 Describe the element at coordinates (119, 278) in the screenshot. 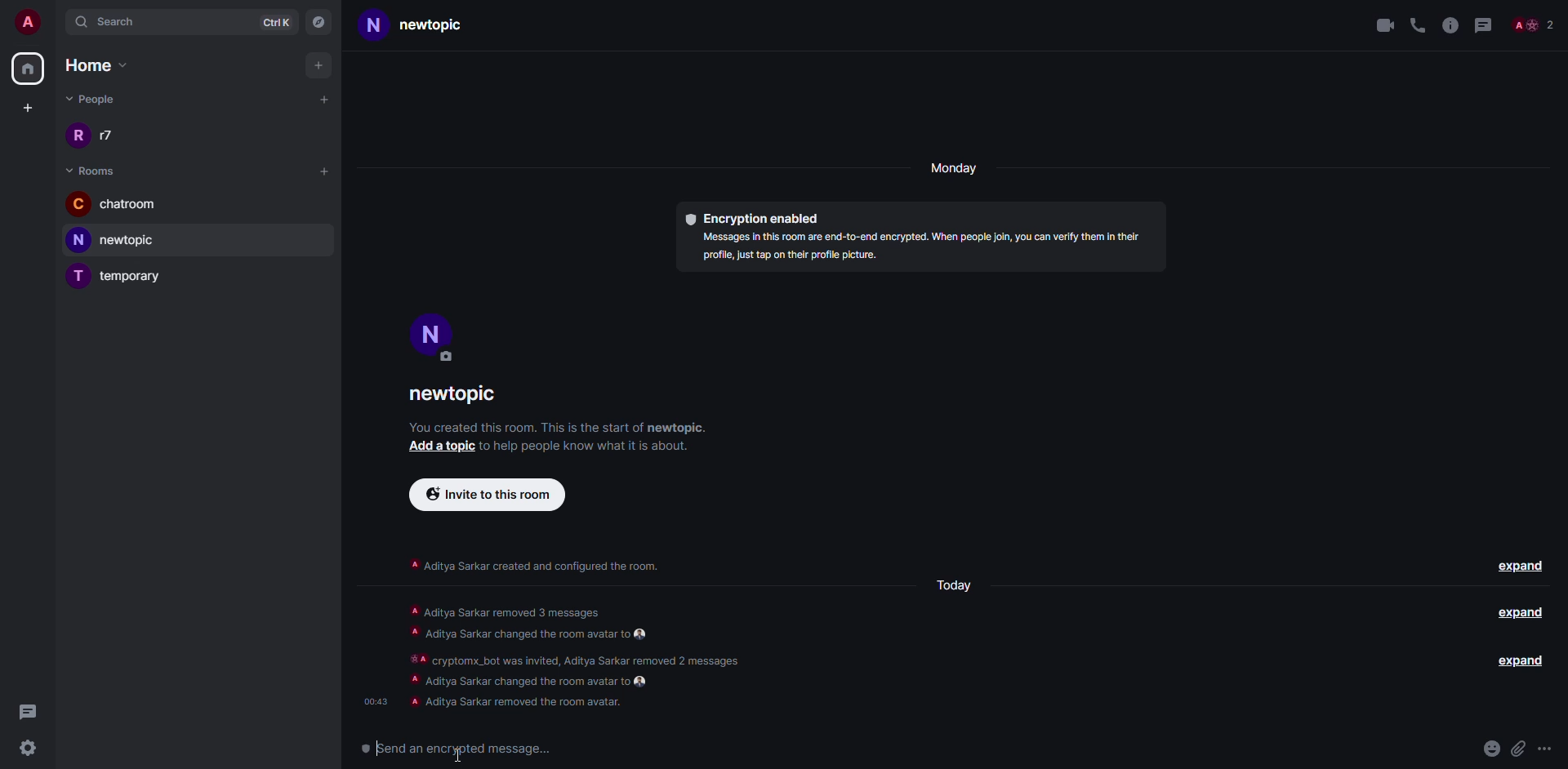

I see `temporary` at that location.